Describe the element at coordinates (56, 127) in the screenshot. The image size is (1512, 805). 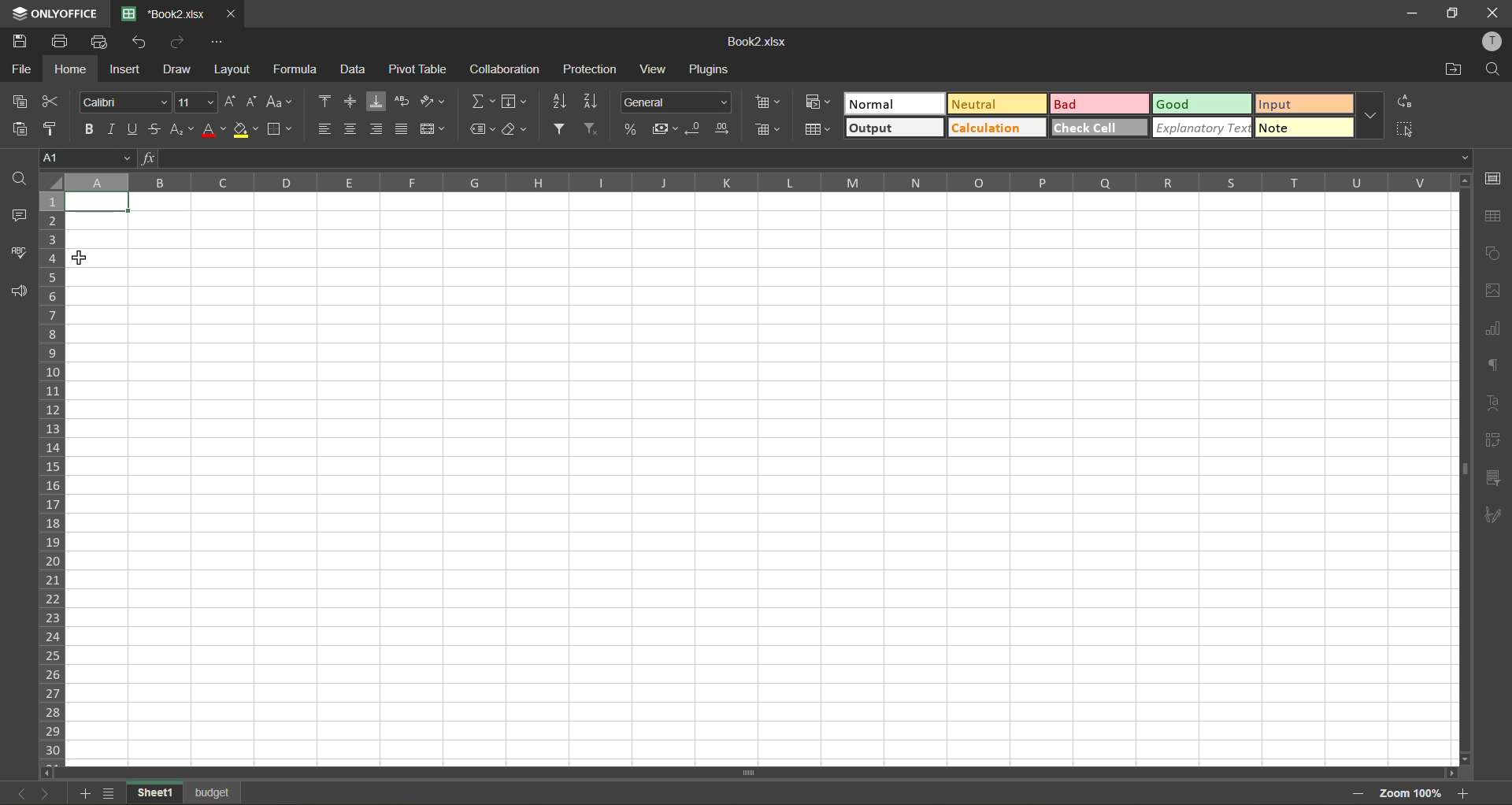
I see `copy style` at that location.